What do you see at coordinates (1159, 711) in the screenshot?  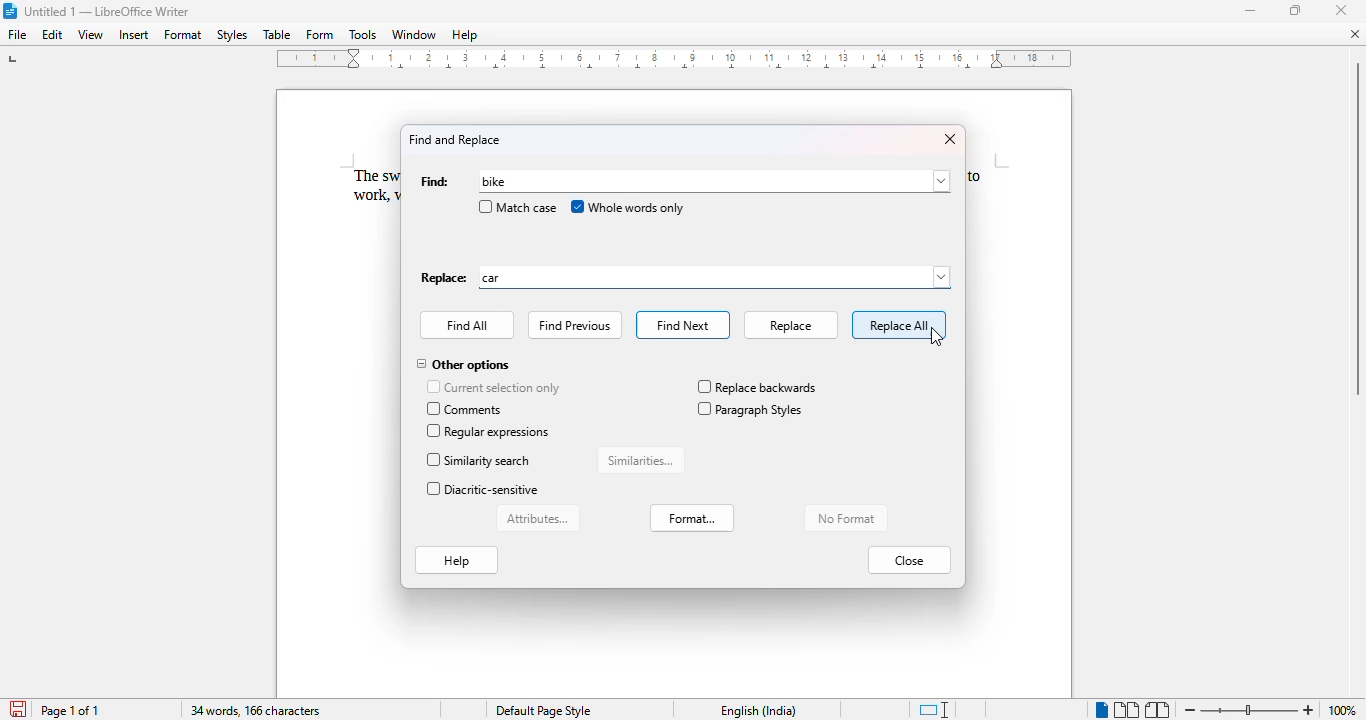 I see `book view` at bounding box center [1159, 711].